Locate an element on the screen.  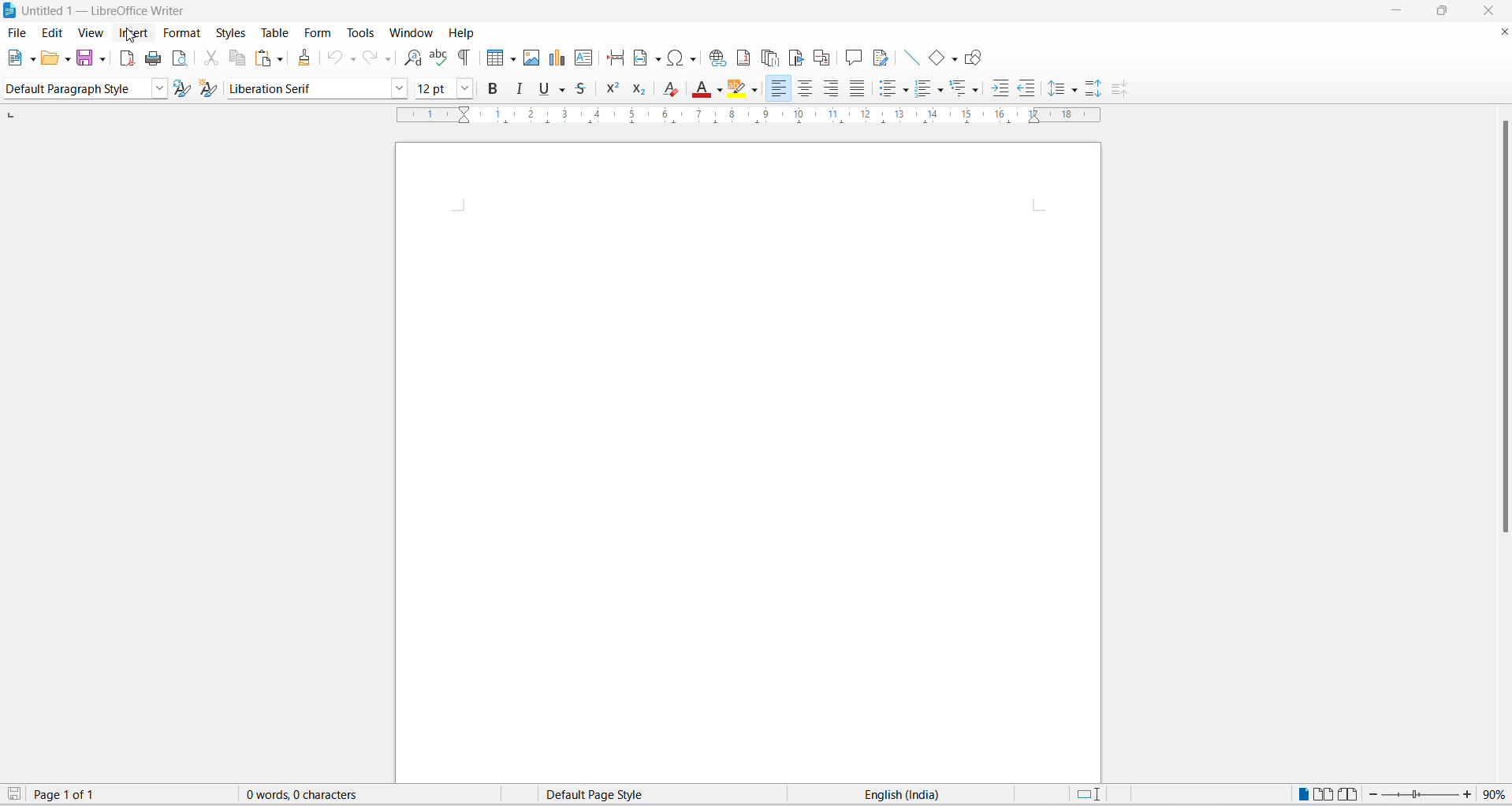
find and replace is located at coordinates (410, 58).